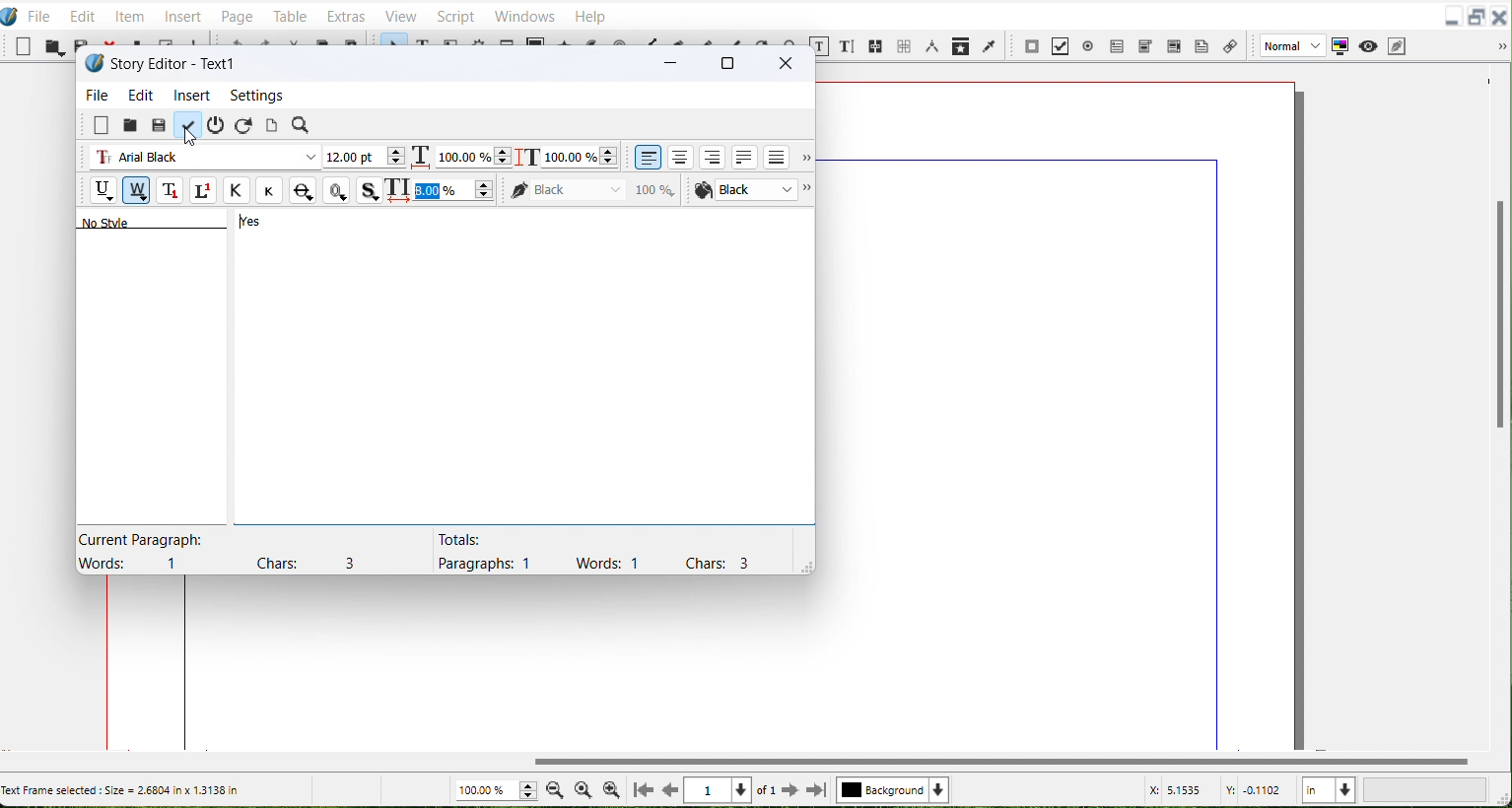 Image resolution: width=1512 pixels, height=808 pixels. Describe the element at coordinates (53, 46) in the screenshot. I see `Open` at that location.